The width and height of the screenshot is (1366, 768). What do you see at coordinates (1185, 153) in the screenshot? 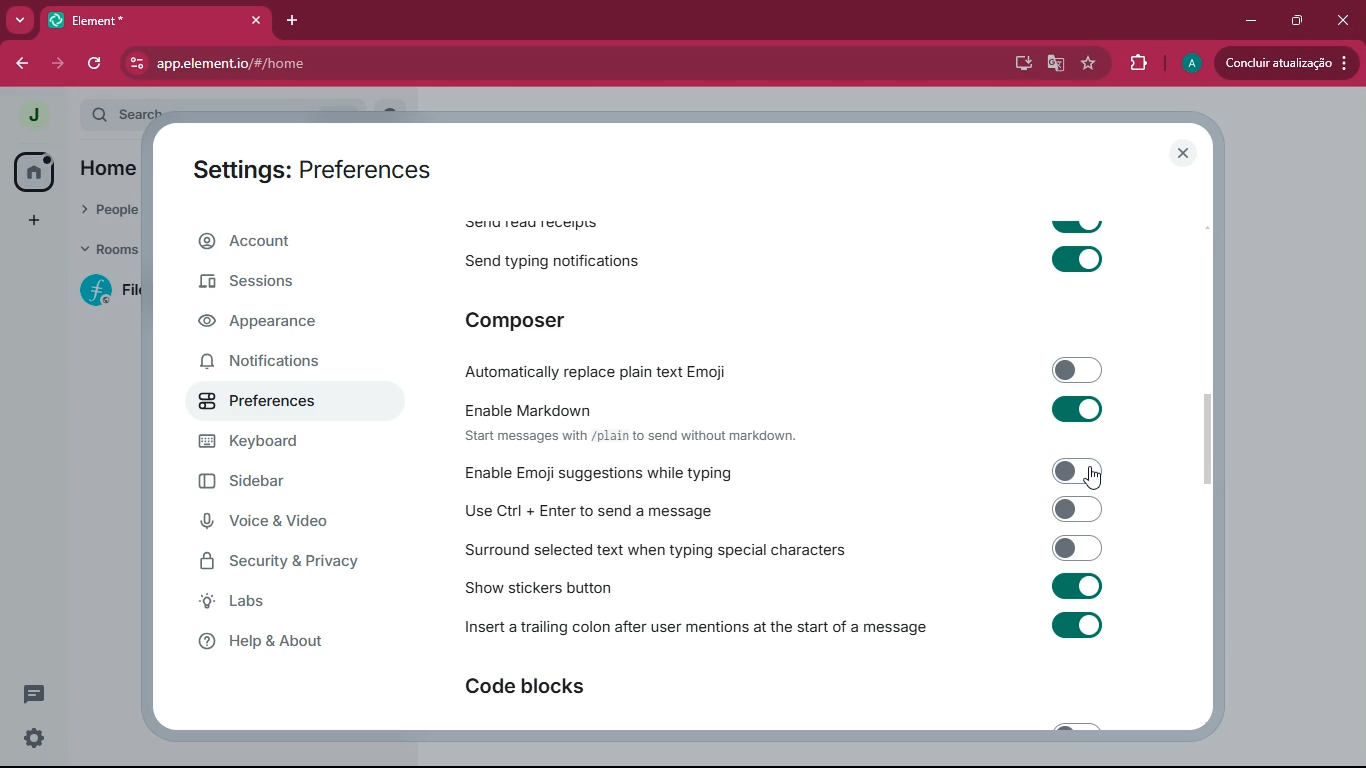
I see `close` at bounding box center [1185, 153].